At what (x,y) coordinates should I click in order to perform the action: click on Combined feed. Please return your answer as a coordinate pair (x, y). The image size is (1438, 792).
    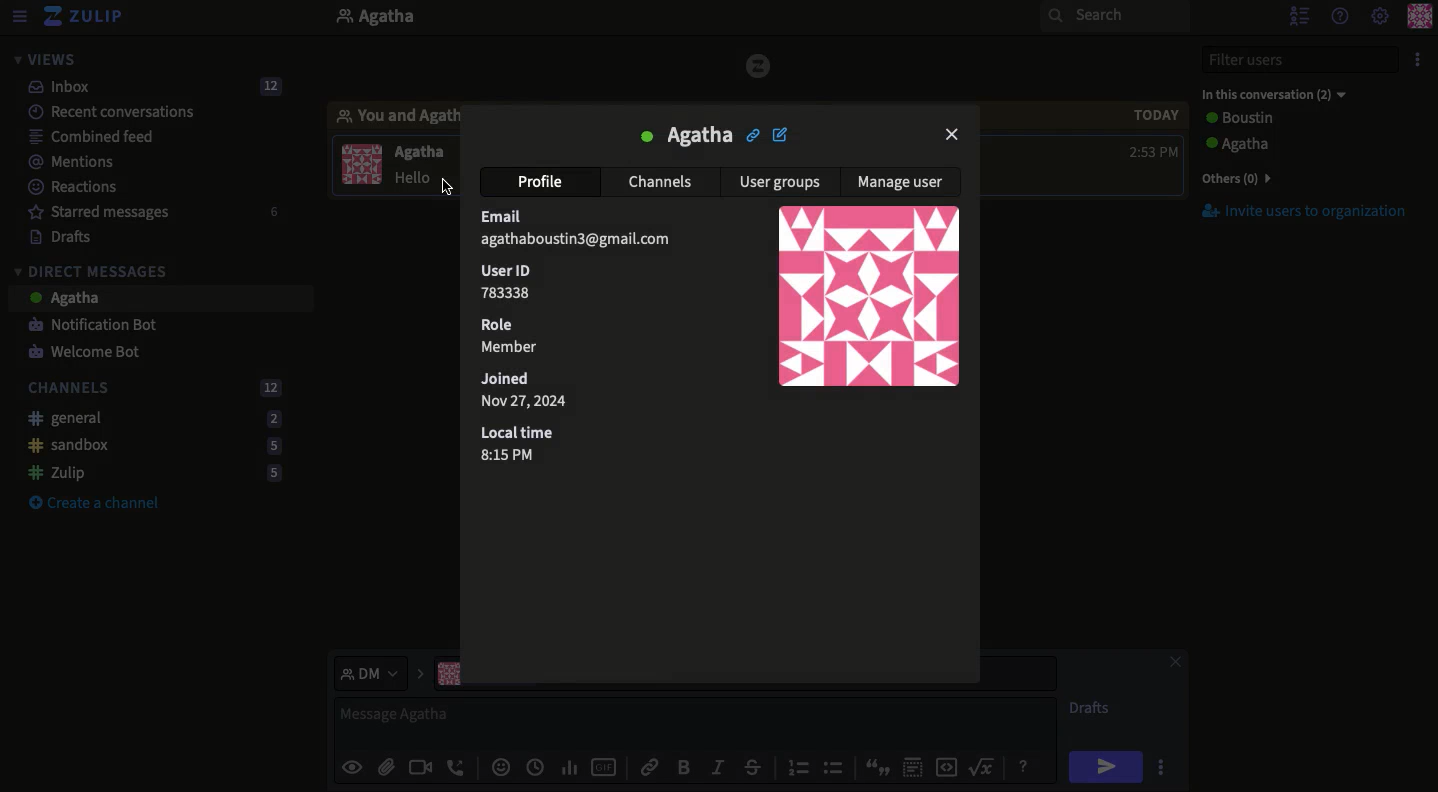
    Looking at the image, I should click on (93, 135).